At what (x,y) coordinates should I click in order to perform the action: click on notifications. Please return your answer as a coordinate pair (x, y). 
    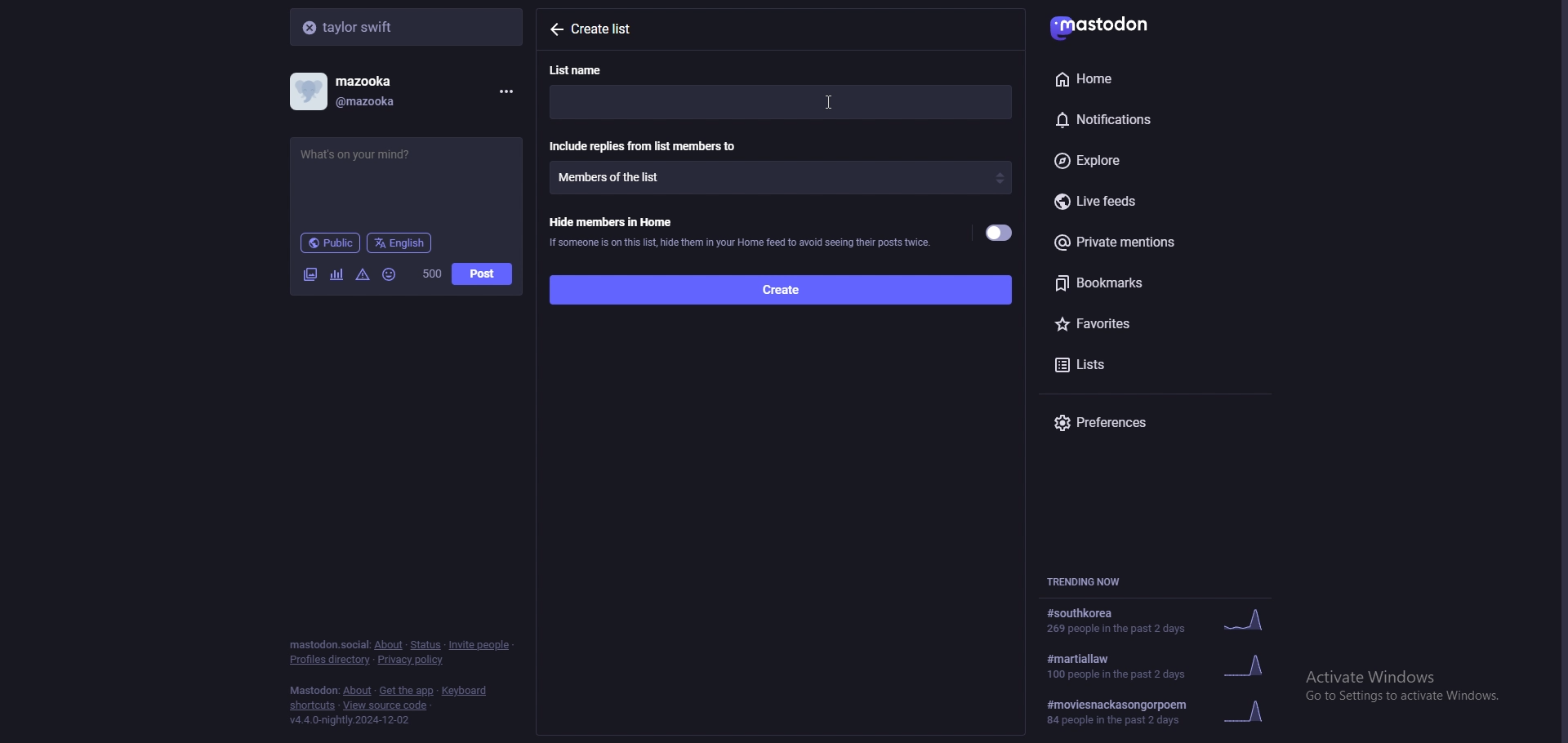
    Looking at the image, I should click on (1138, 117).